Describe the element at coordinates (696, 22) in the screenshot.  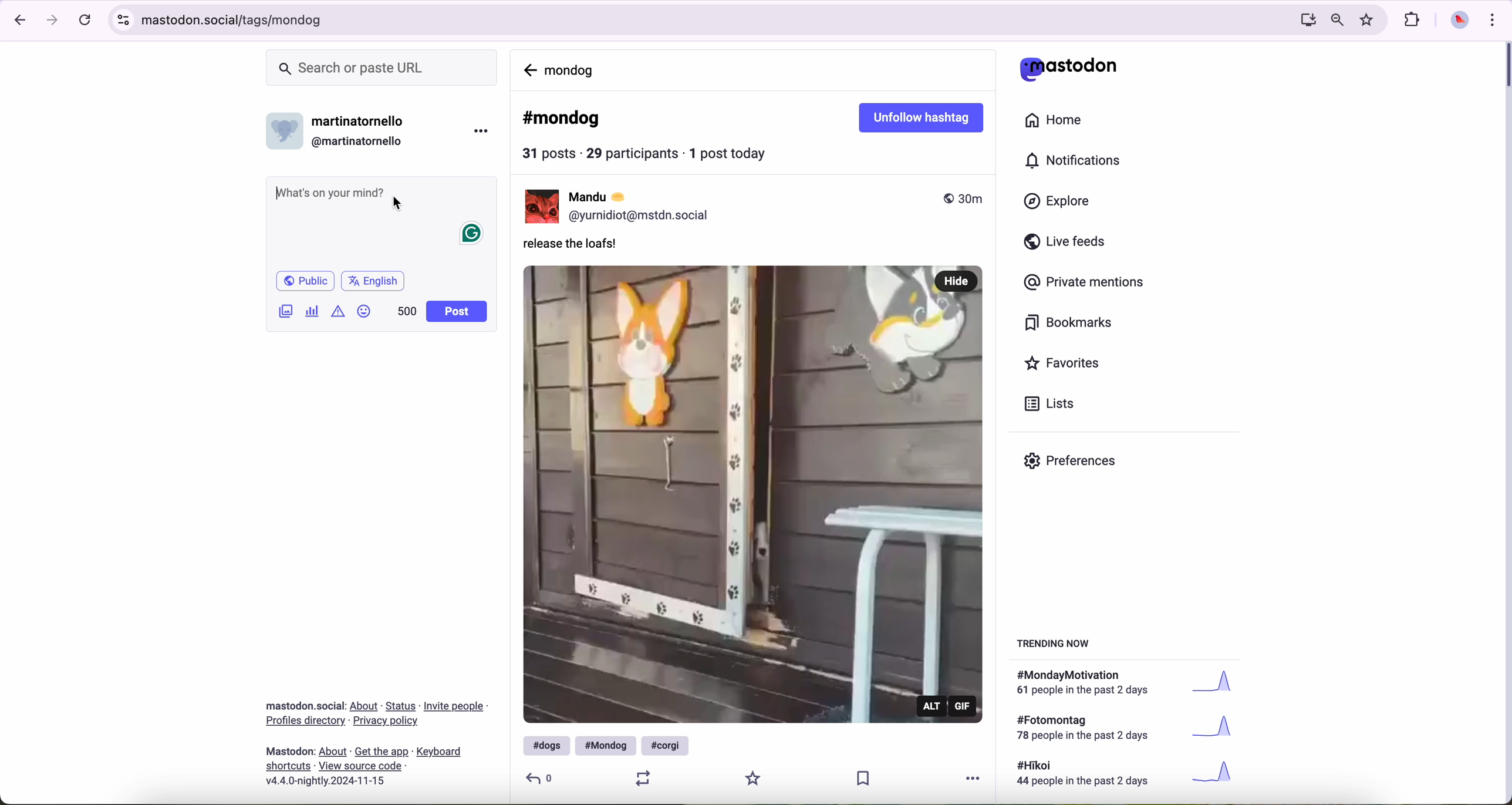
I see `URL` at that location.